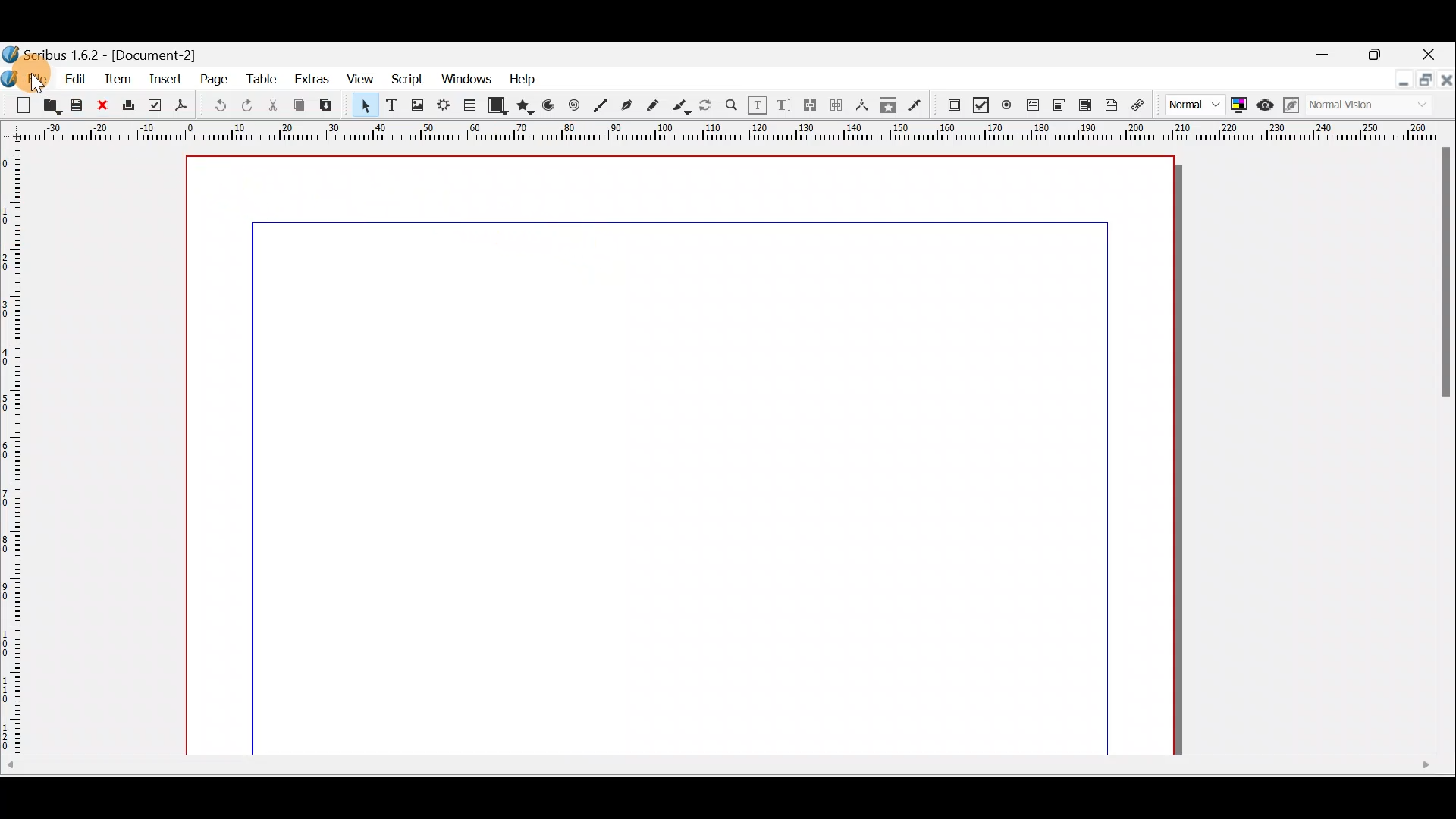 This screenshot has width=1456, height=819. Describe the element at coordinates (1399, 86) in the screenshot. I see `Minimise` at that location.